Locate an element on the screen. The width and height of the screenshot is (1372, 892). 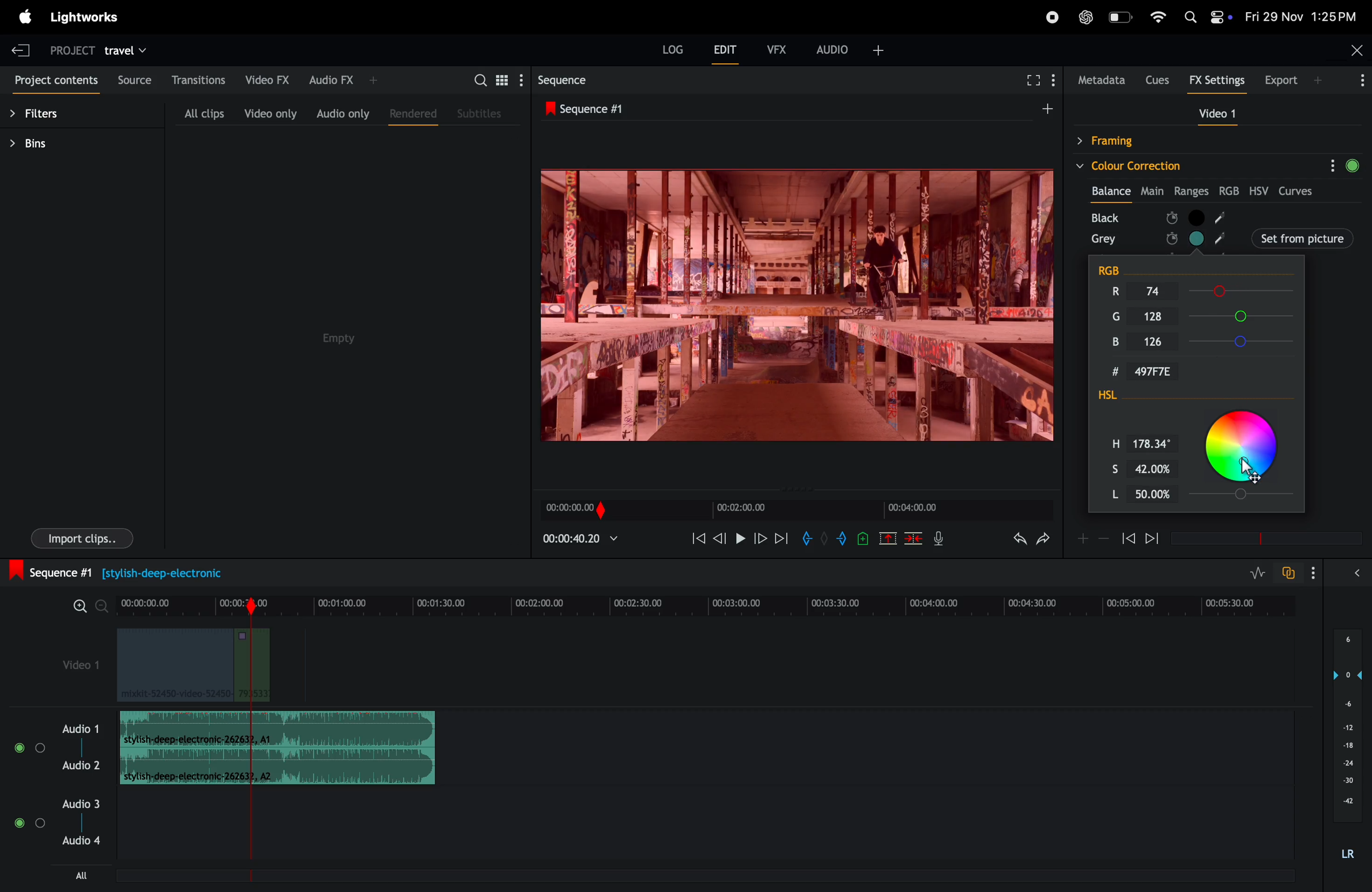
green circle is located at coordinates (1356, 167).